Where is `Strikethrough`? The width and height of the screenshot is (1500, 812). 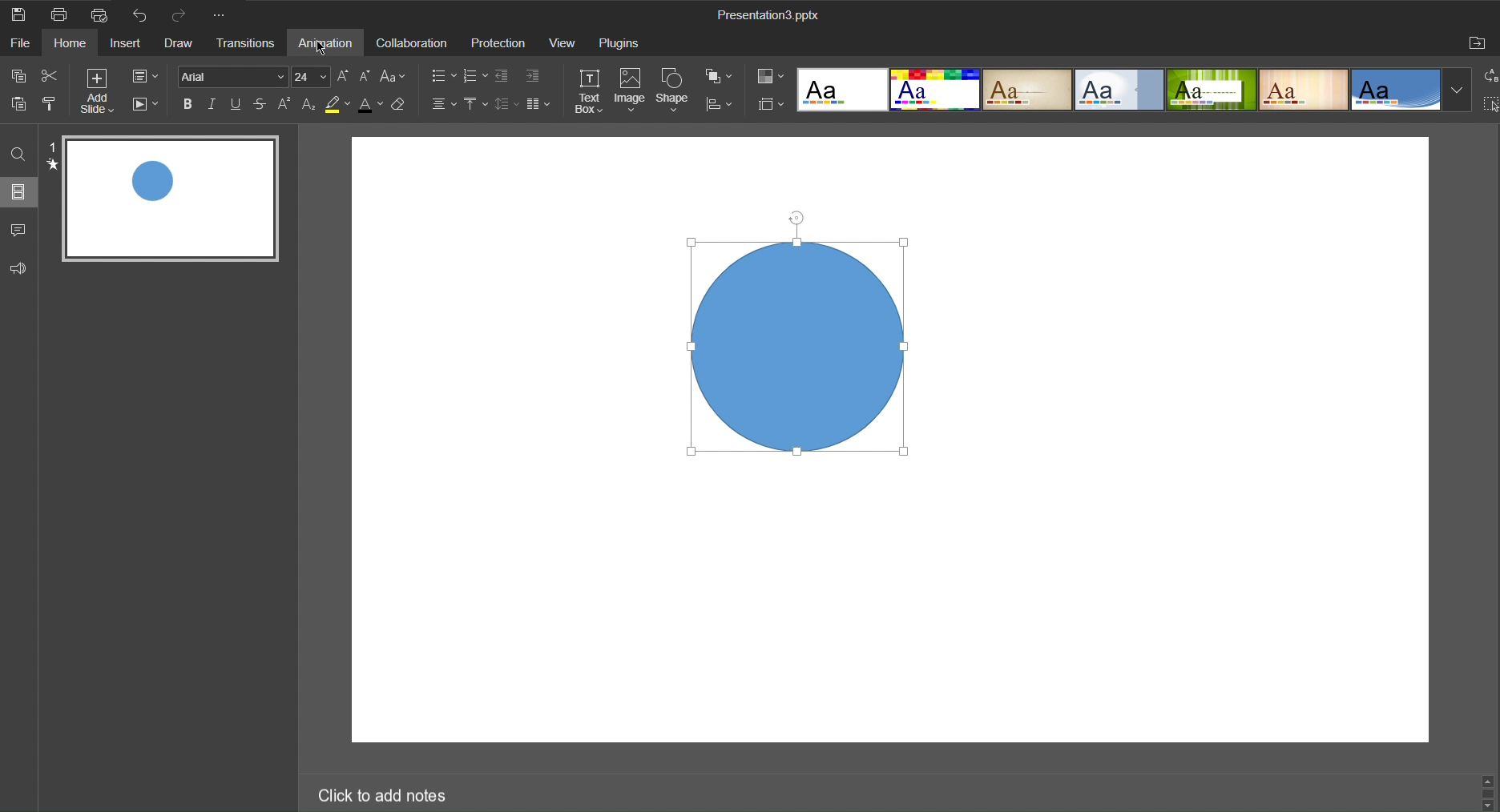 Strikethrough is located at coordinates (262, 106).